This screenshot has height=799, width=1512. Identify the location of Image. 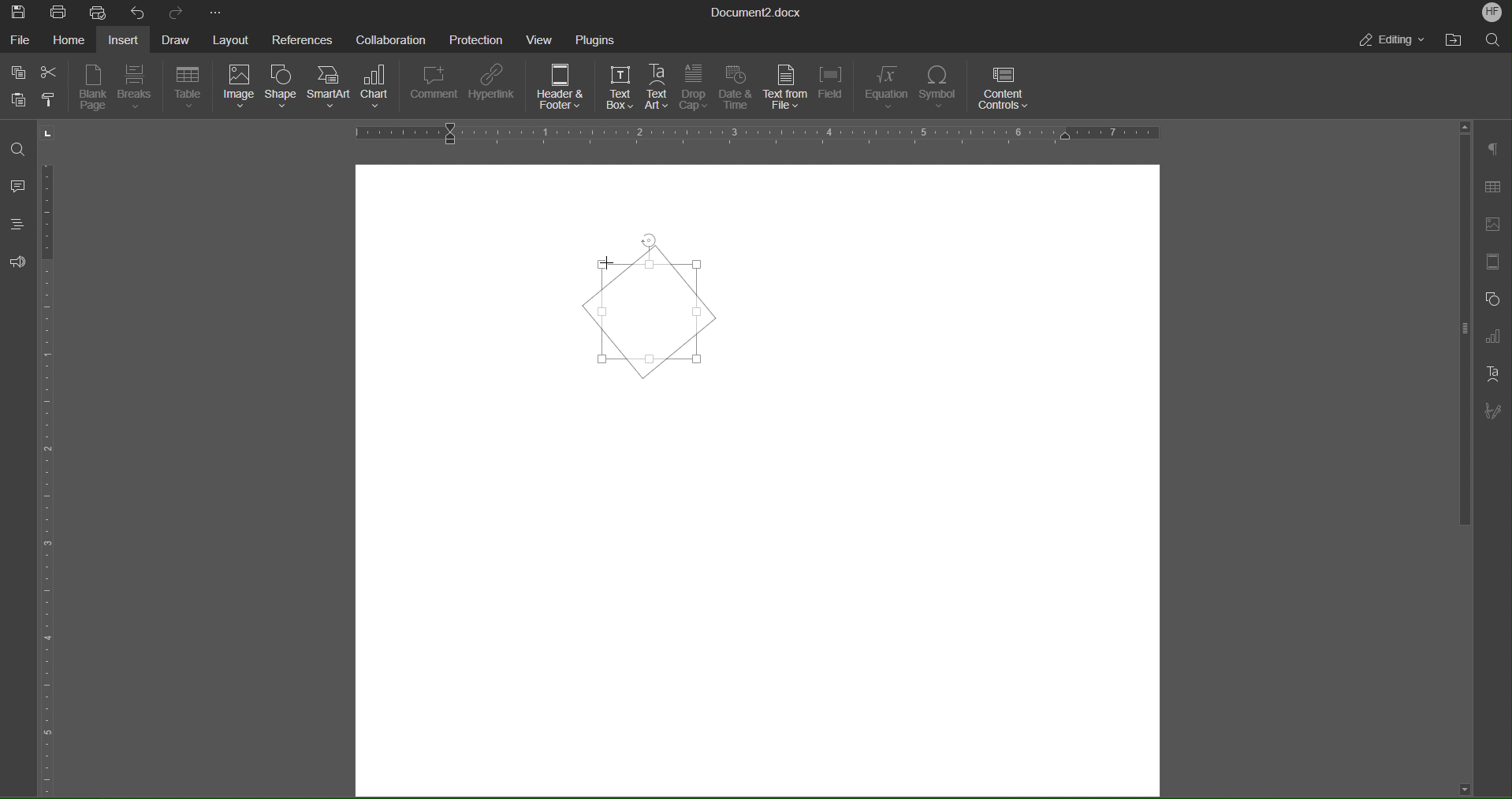
(238, 89).